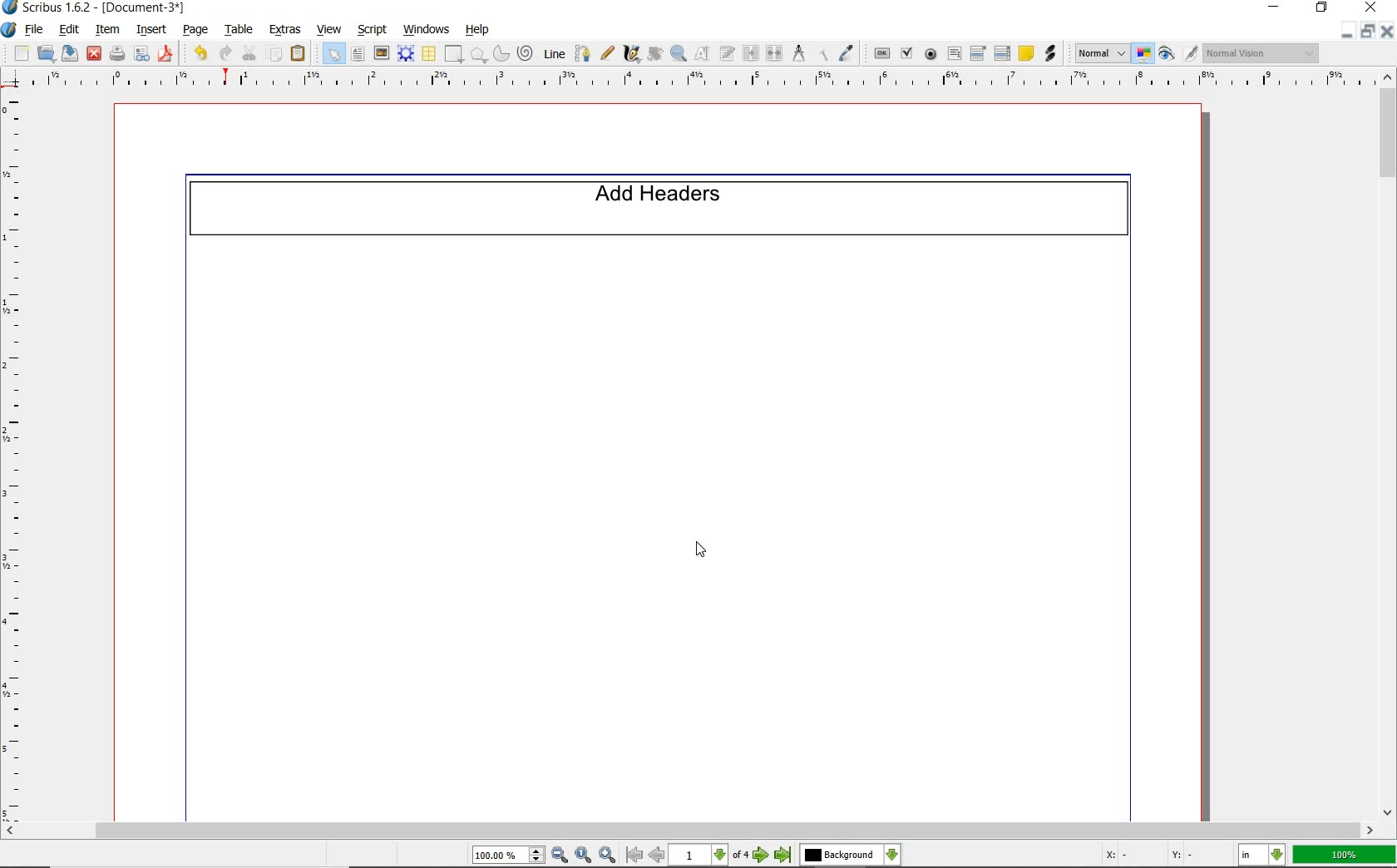  I want to click on help, so click(479, 31).